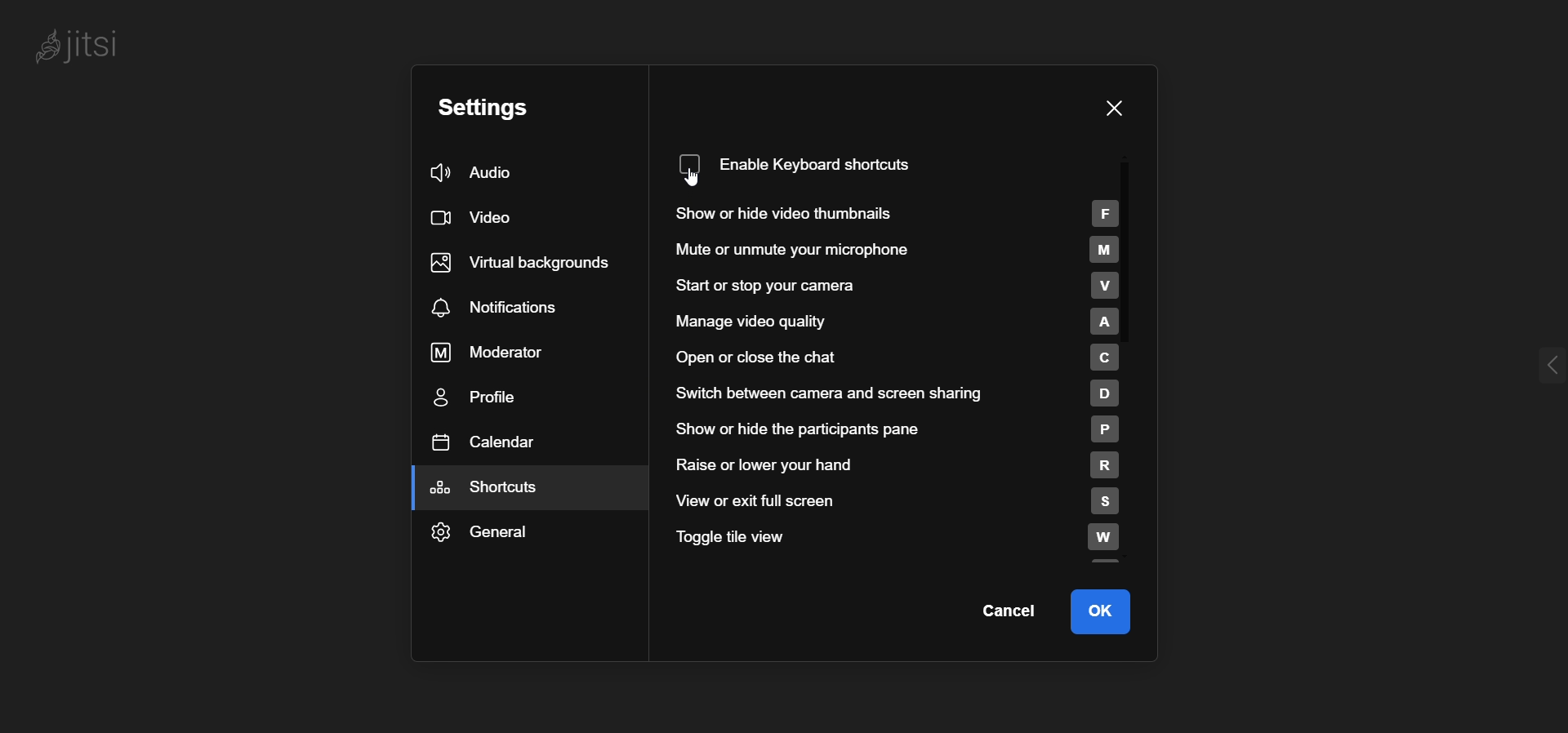 This screenshot has width=1568, height=733. What do you see at coordinates (1006, 614) in the screenshot?
I see `cancel` at bounding box center [1006, 614].